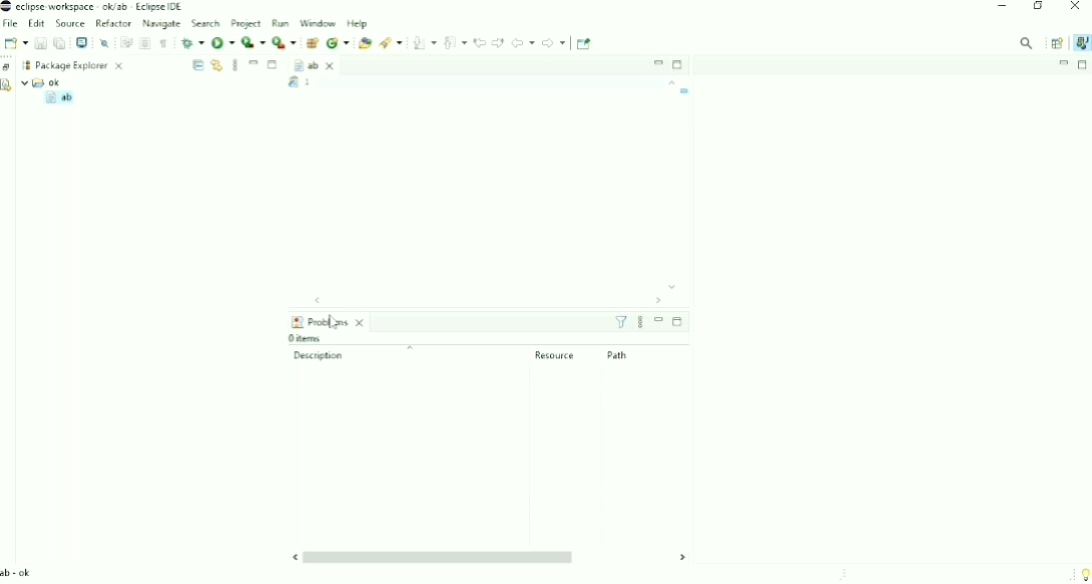 The width and height of the screenshot is (1092, 584). What do you see at coordinates (335, 326) in the screenshot?
I see `Cursor` at bounding box center [335, 326].